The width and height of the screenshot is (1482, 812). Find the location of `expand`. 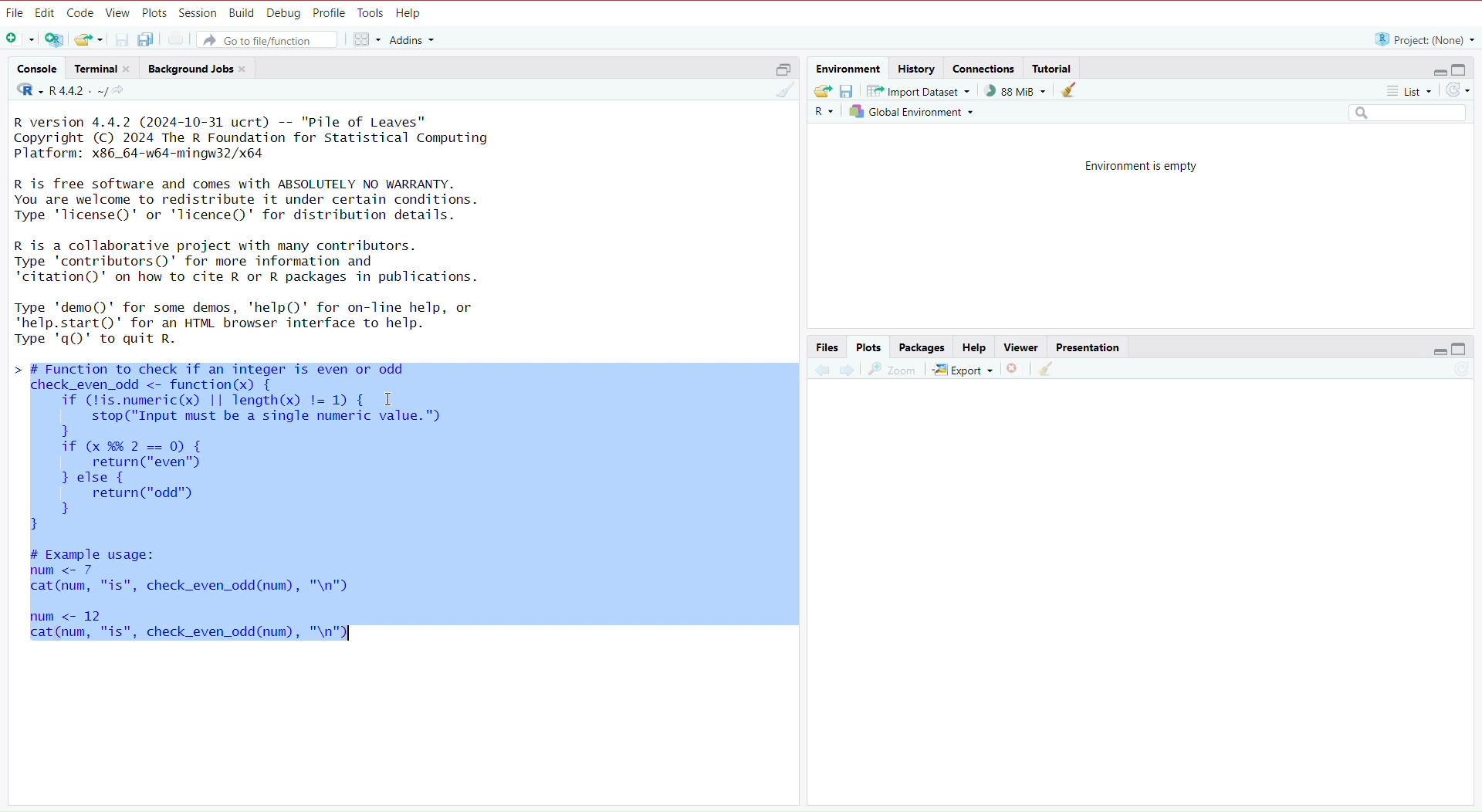

expand is located at coordinates (1437, 350).